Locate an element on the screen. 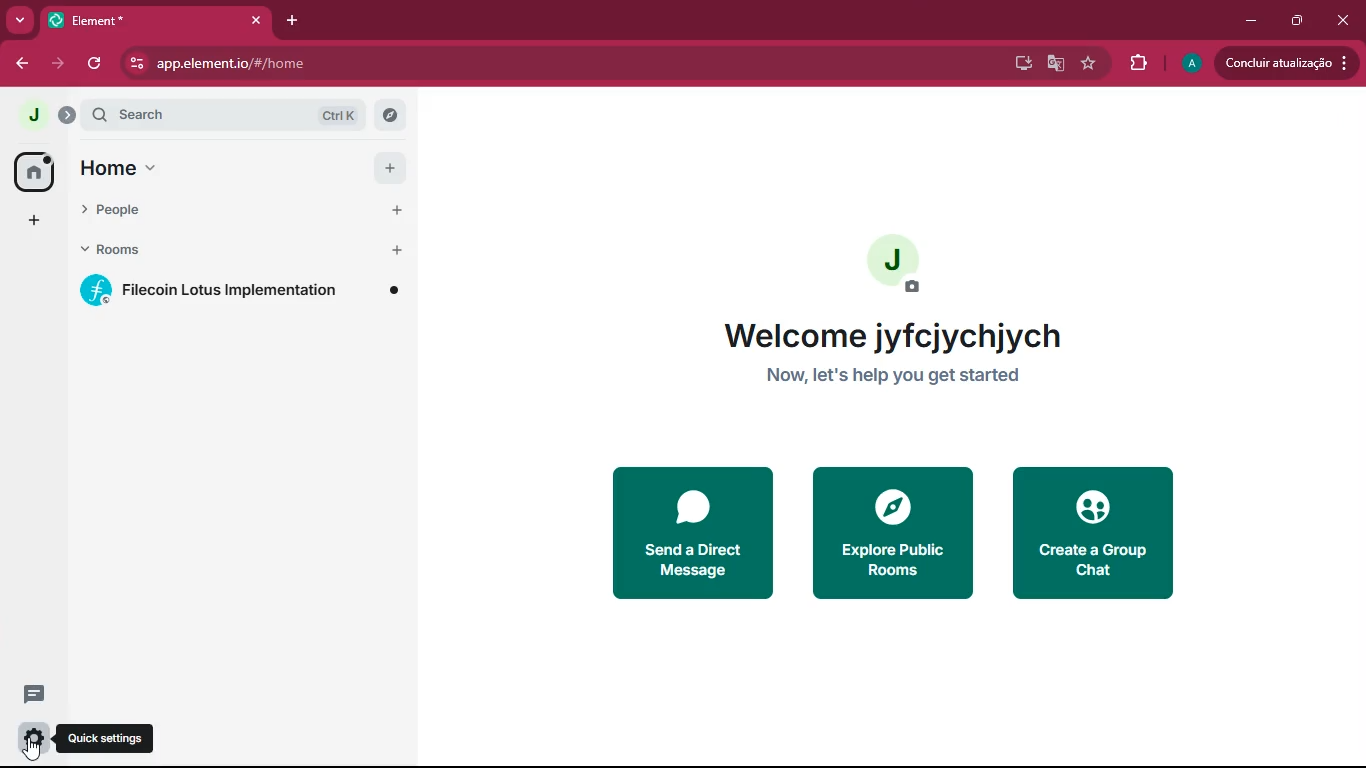 This screenshot has height=768, width=1366. add profile picture is located at coordinates (896, 267).